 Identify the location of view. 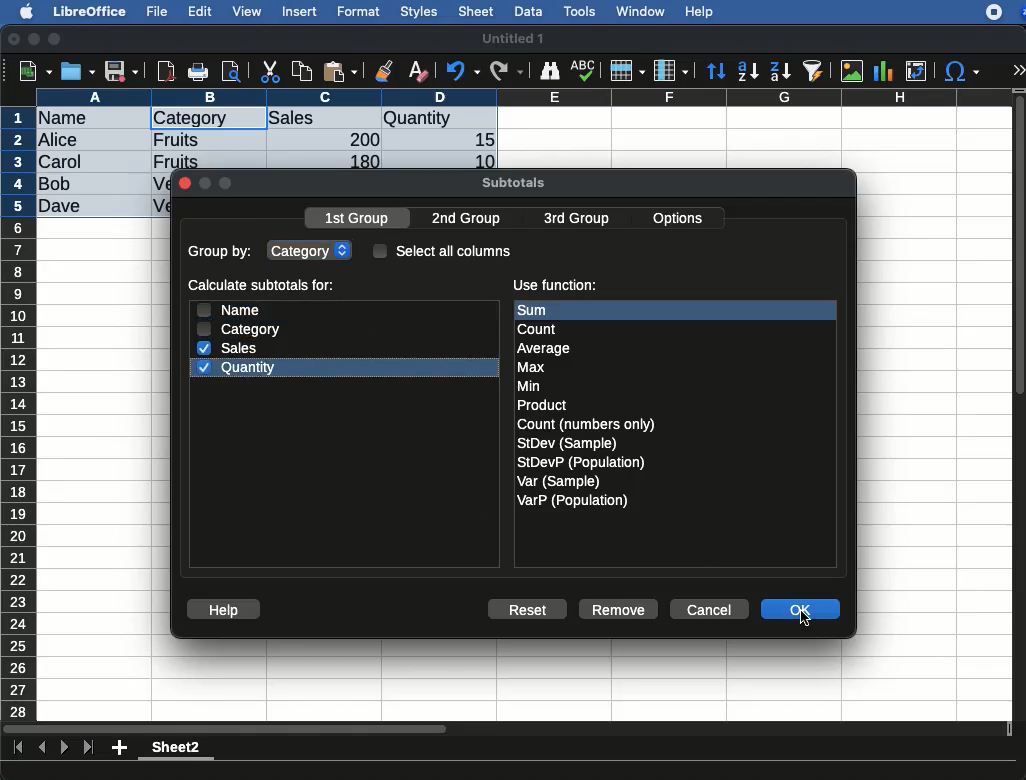
(247, 11).